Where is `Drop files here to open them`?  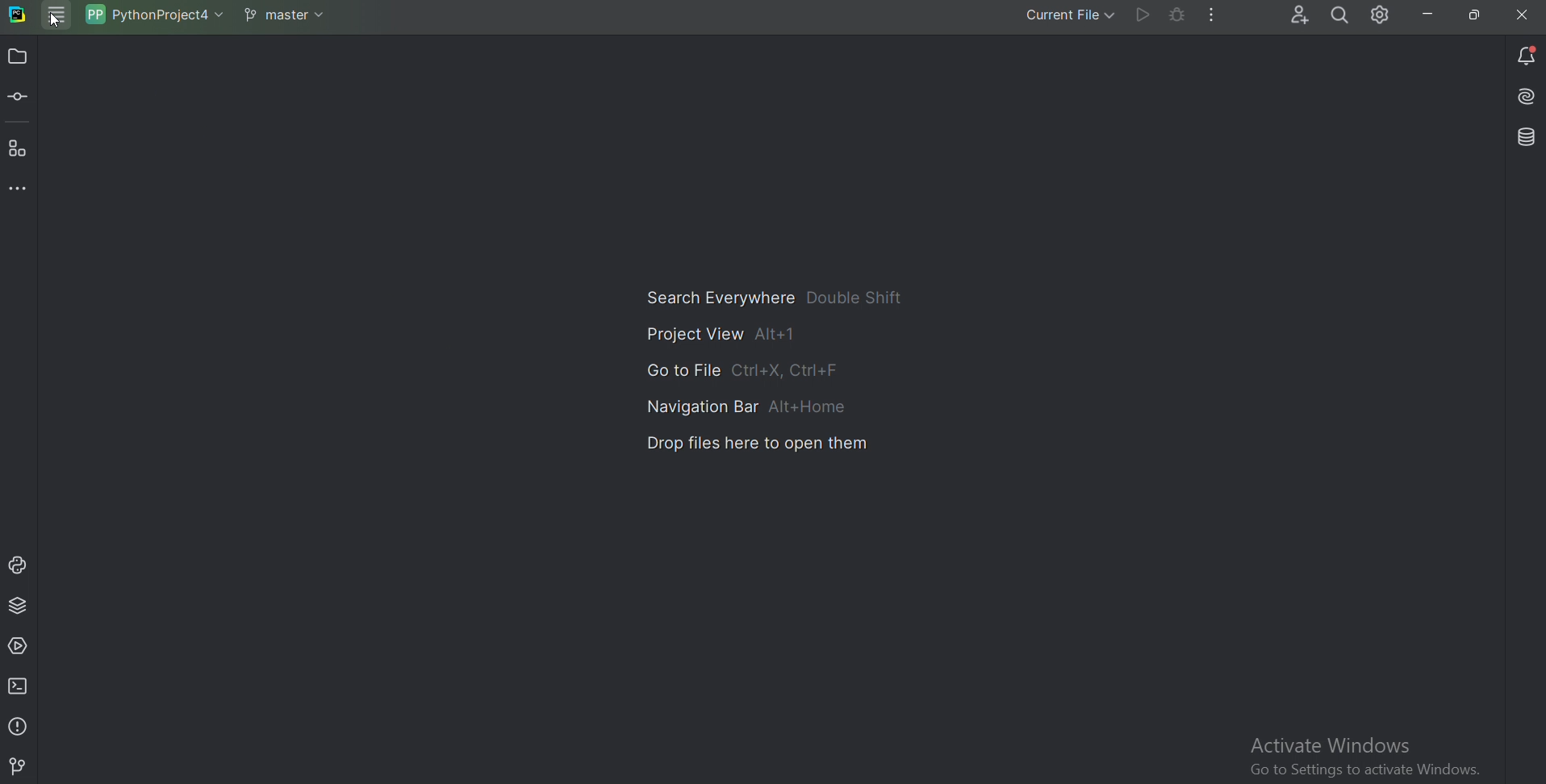
Drop files here to open them is located at coordinates (734, 443).